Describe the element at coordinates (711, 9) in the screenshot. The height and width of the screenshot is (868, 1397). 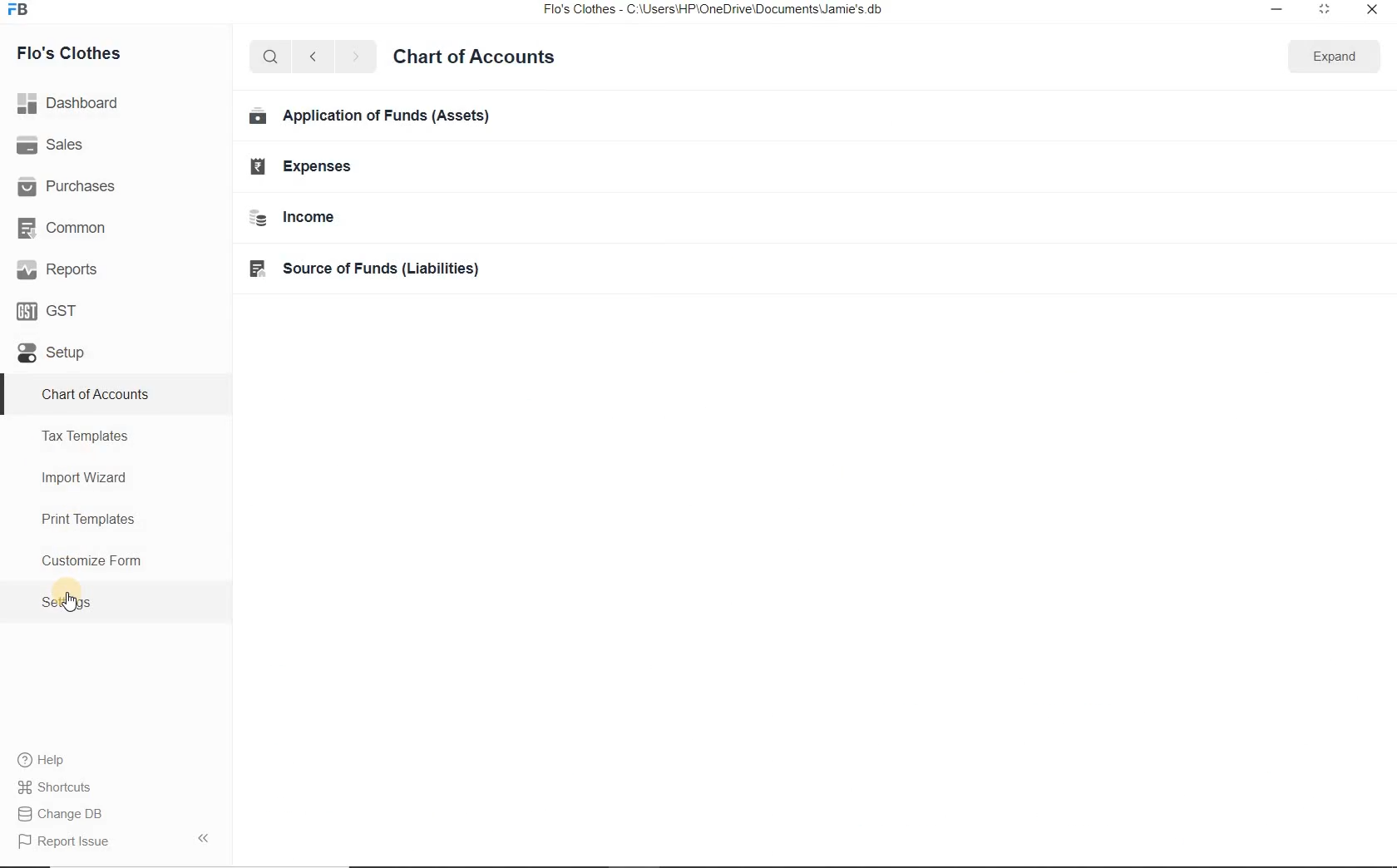
I see `Flo's Clothes - C:\Users\HP'\OneDrive\Documents\Jamie's.db` at that location.